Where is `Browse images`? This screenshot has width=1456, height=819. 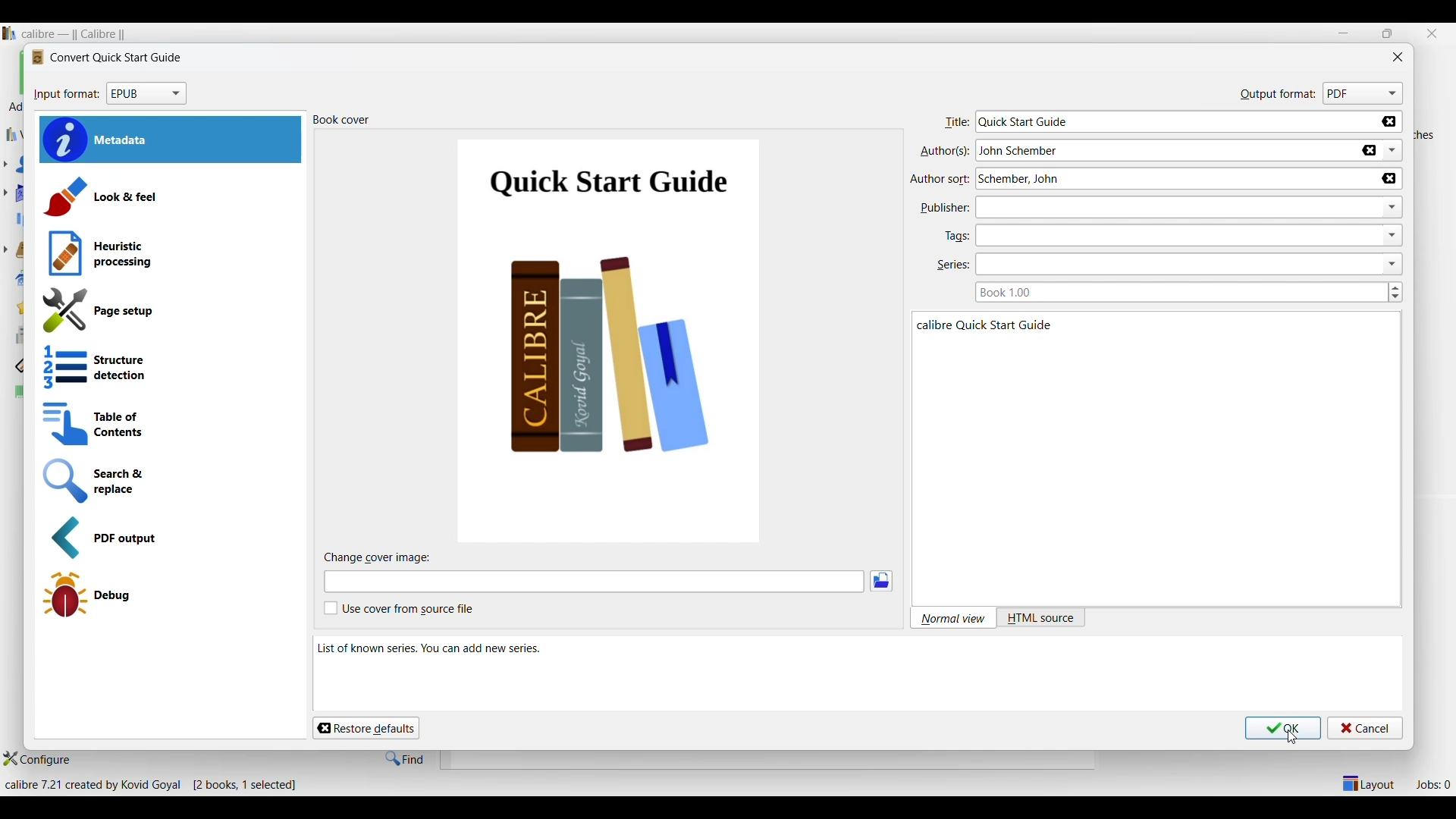
Browse images is located at coordinates (882, 582).